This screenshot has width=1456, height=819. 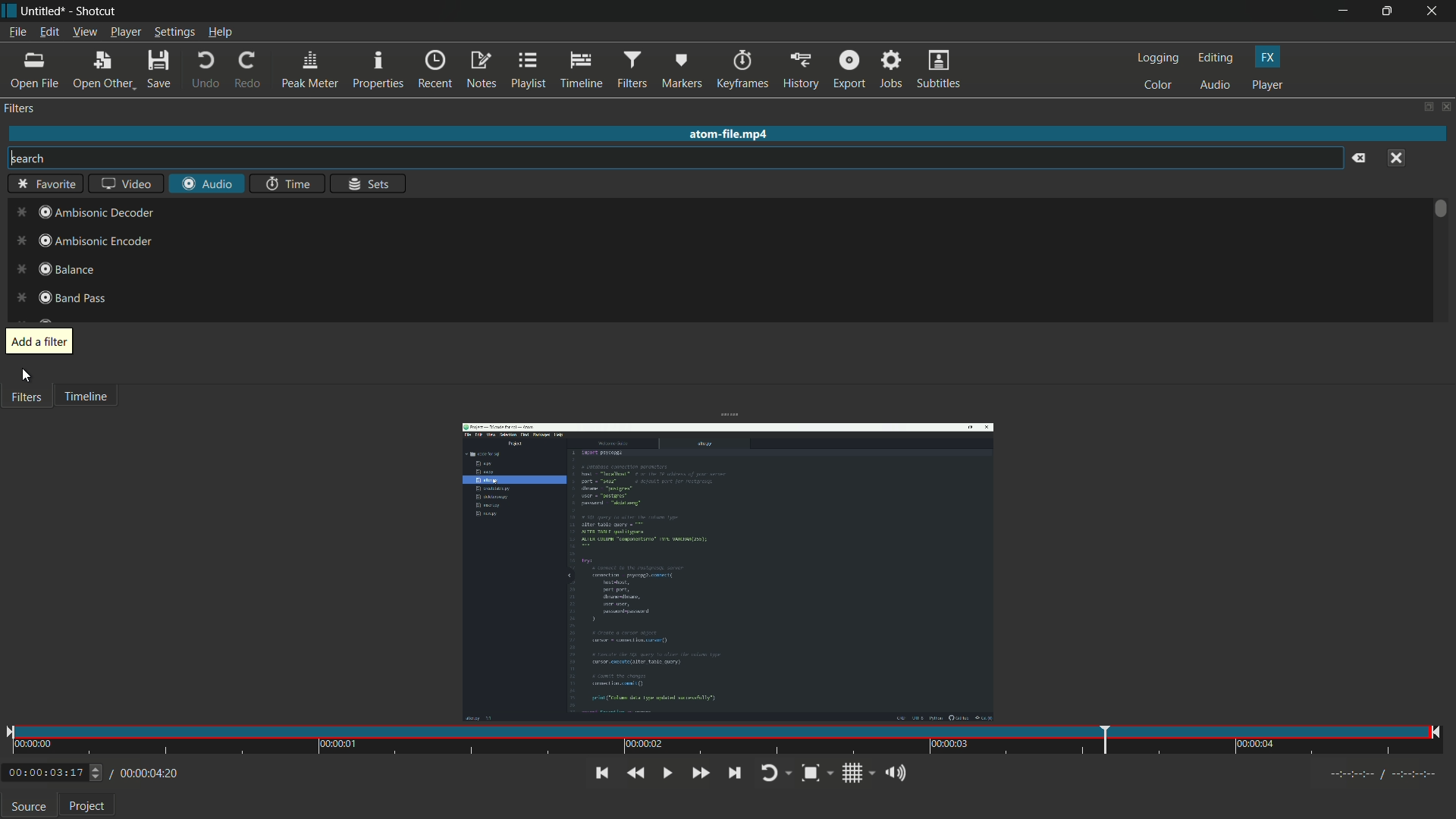 What do you see at coordinates (682, 70) in the screenshot?
I see `markers` at bounding box center [682, 70].